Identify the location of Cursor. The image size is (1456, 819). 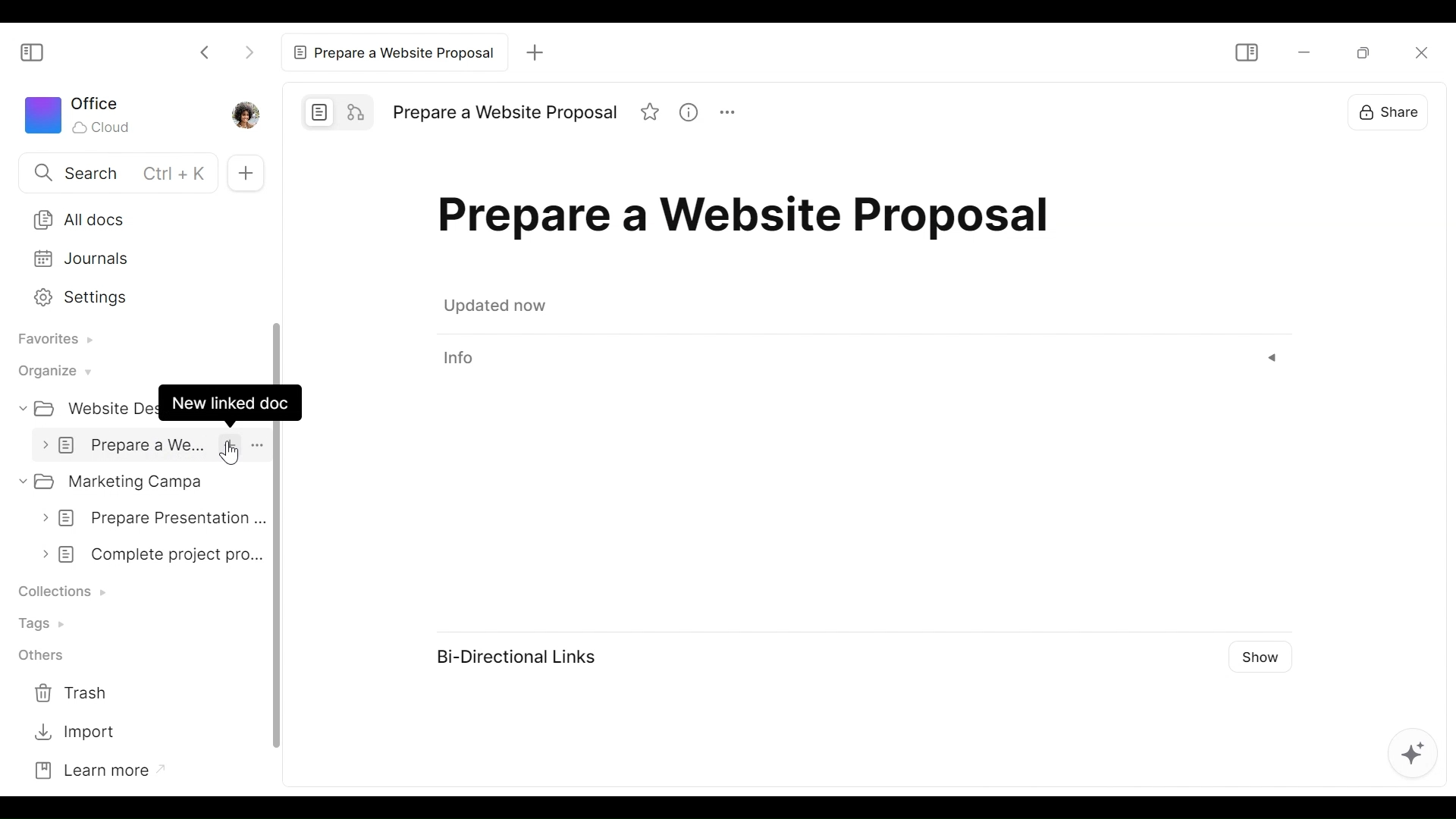
(234, 452).